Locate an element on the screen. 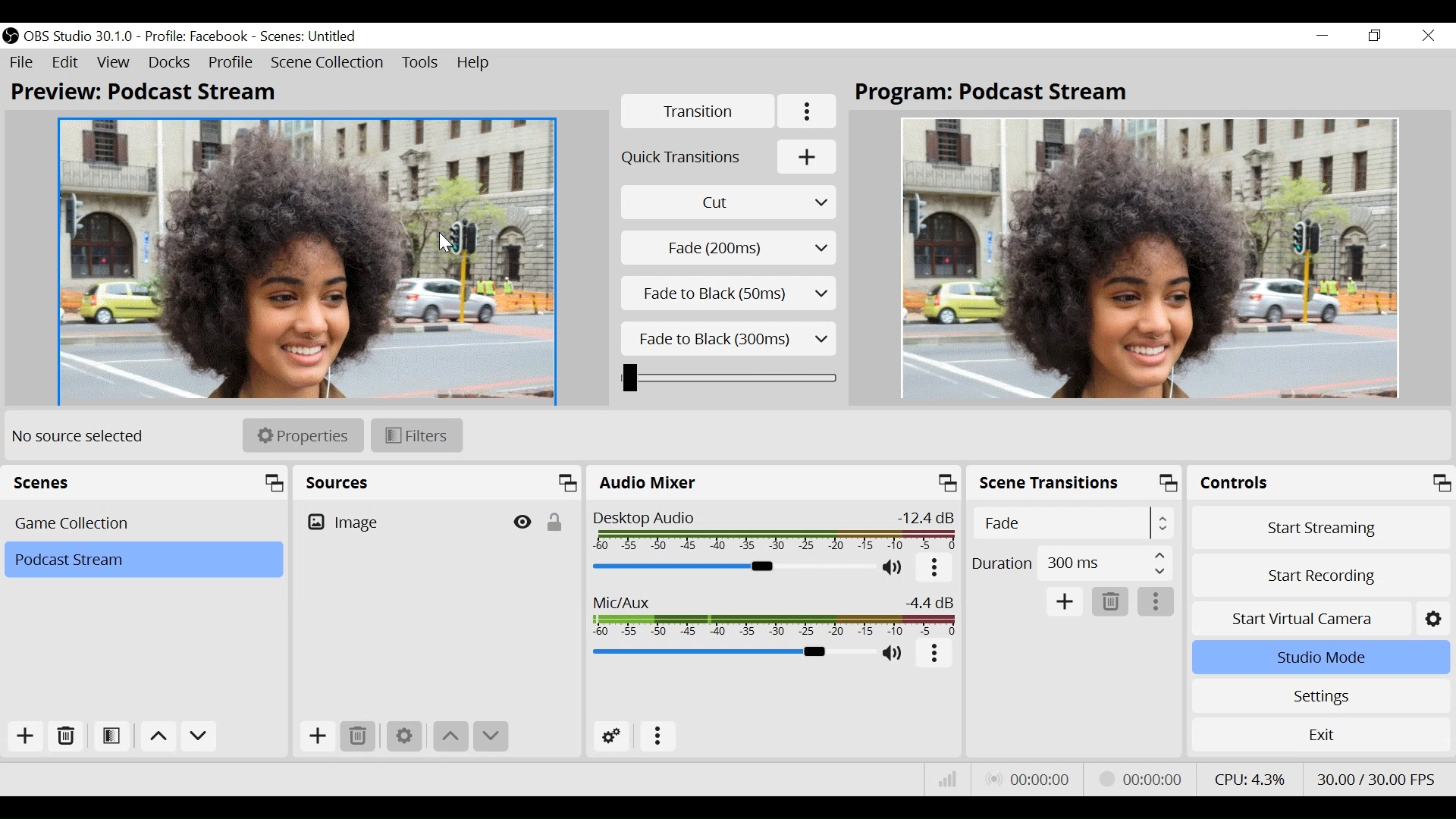 The height and width of the screenshot is (819, 1456). Open Scene Filter is located at coordinates (111, 736).